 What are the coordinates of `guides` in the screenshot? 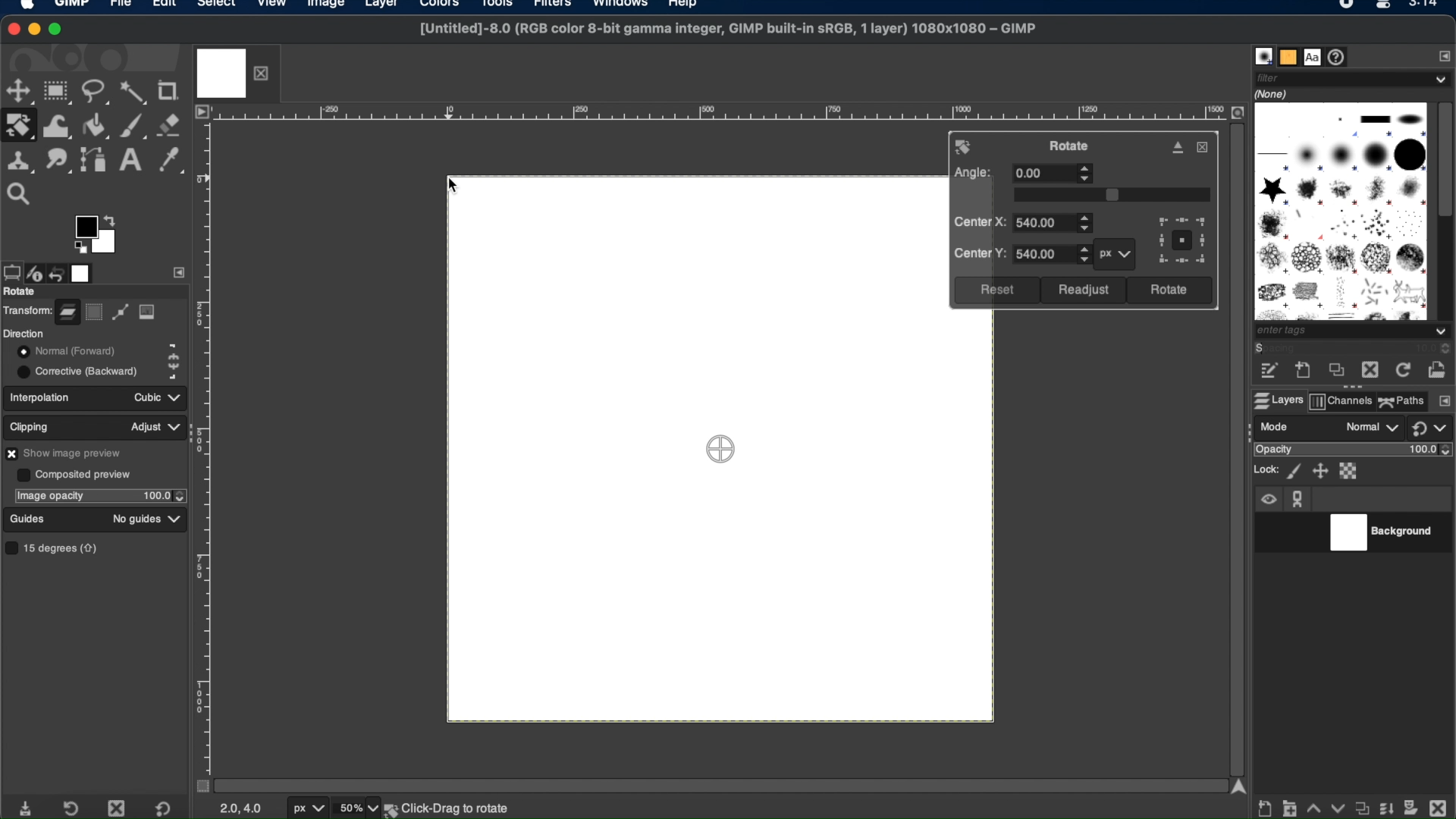 It's located at (28, 519).